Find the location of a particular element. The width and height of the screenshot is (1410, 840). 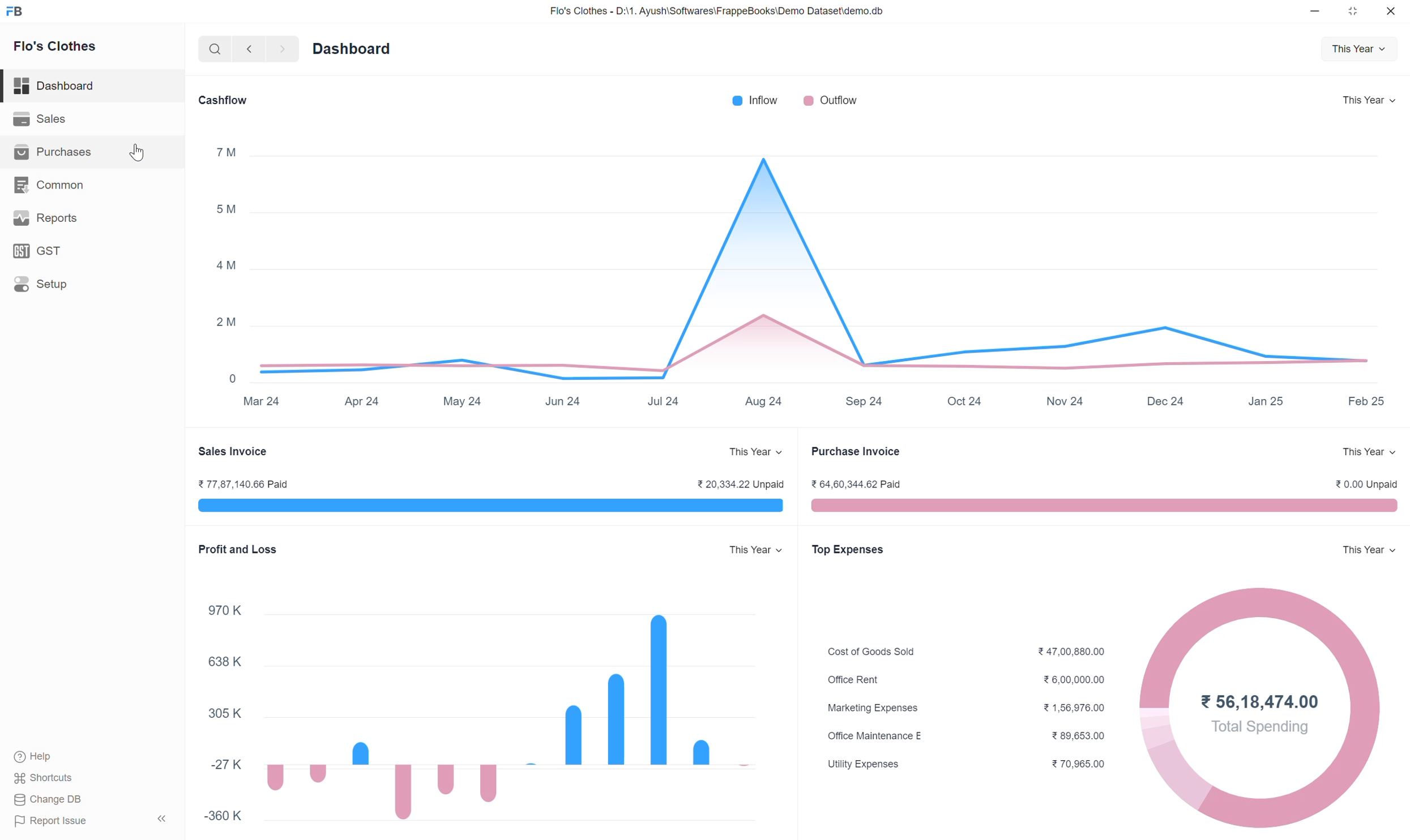

4 M is located at coordinates (227, 265).